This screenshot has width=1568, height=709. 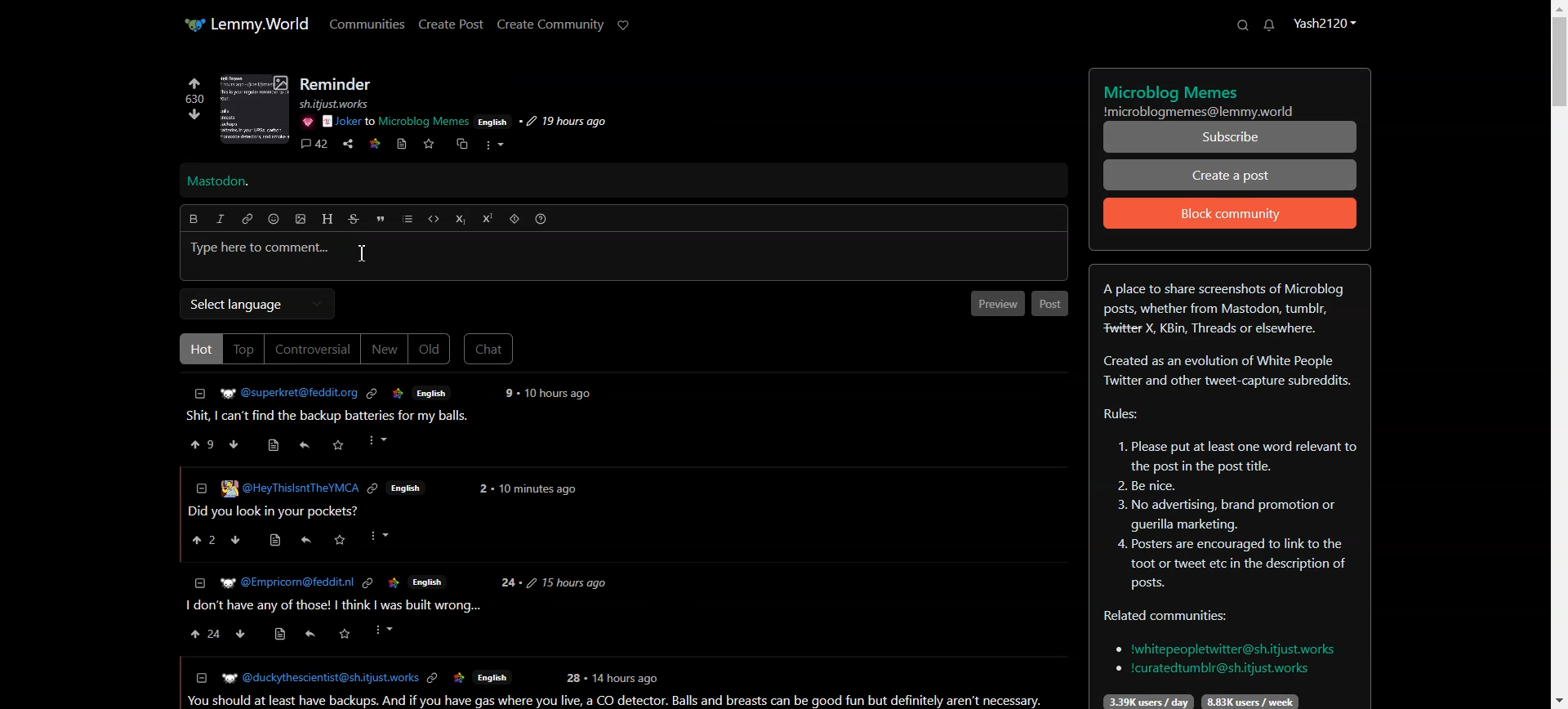 What do you see at coordinates (488, 218) in the screenshot?
I see `Superscript` at bounding box center [488, 218].